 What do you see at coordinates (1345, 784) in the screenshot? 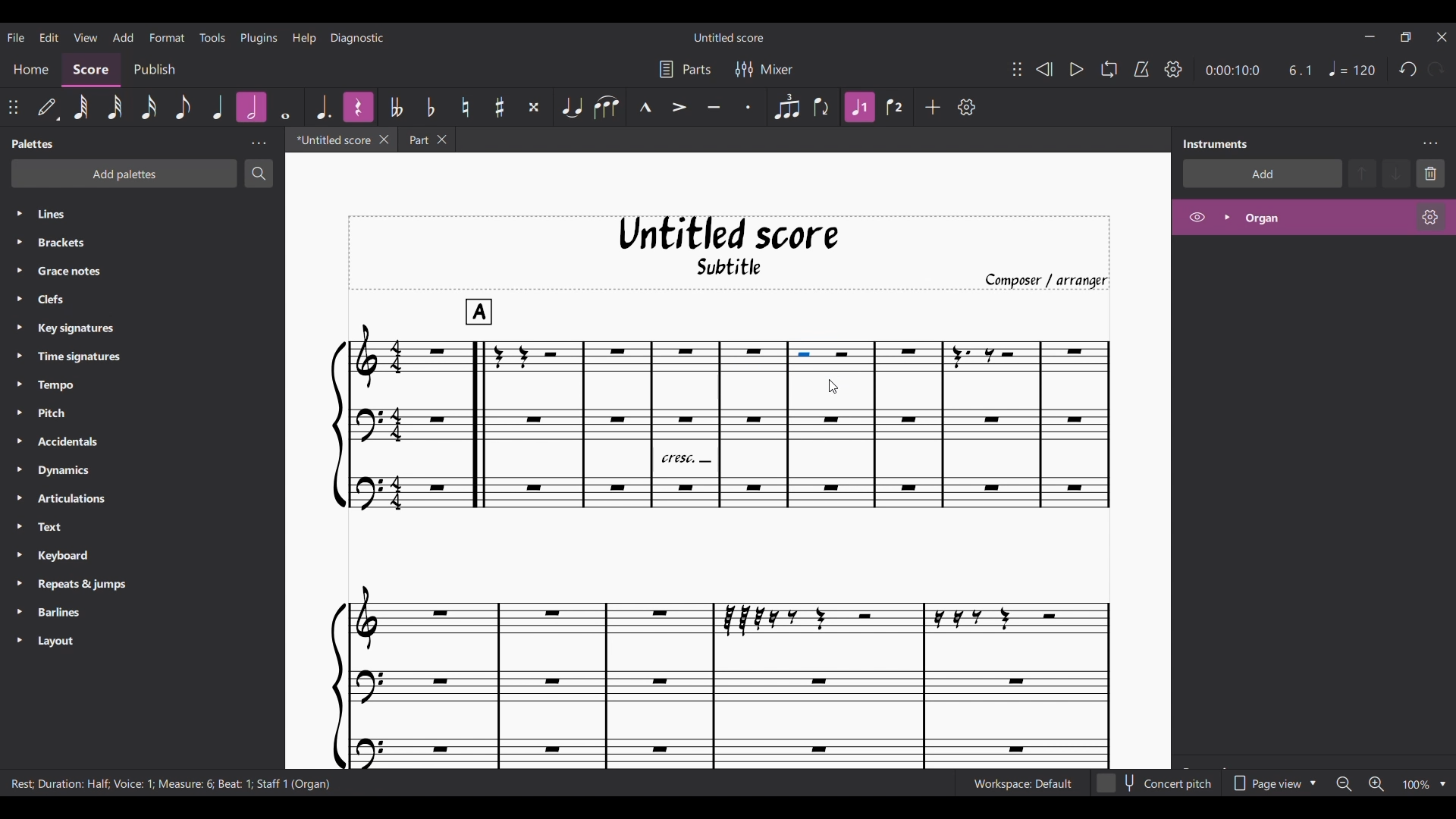
I see `Zoom out` at bounding box center [1345, 784].